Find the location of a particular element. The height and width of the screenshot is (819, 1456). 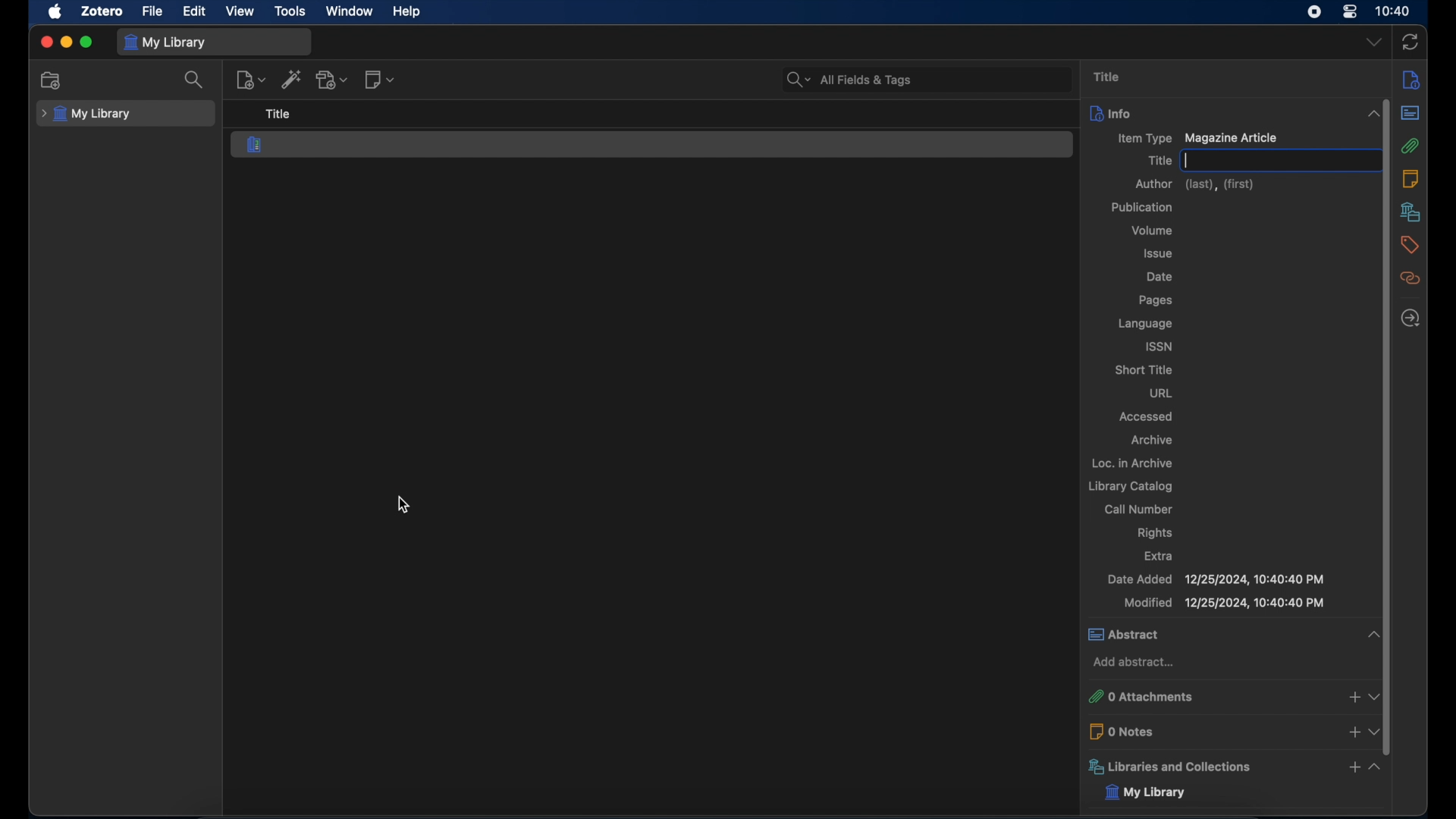

related is located at coordinates (1411, 278).